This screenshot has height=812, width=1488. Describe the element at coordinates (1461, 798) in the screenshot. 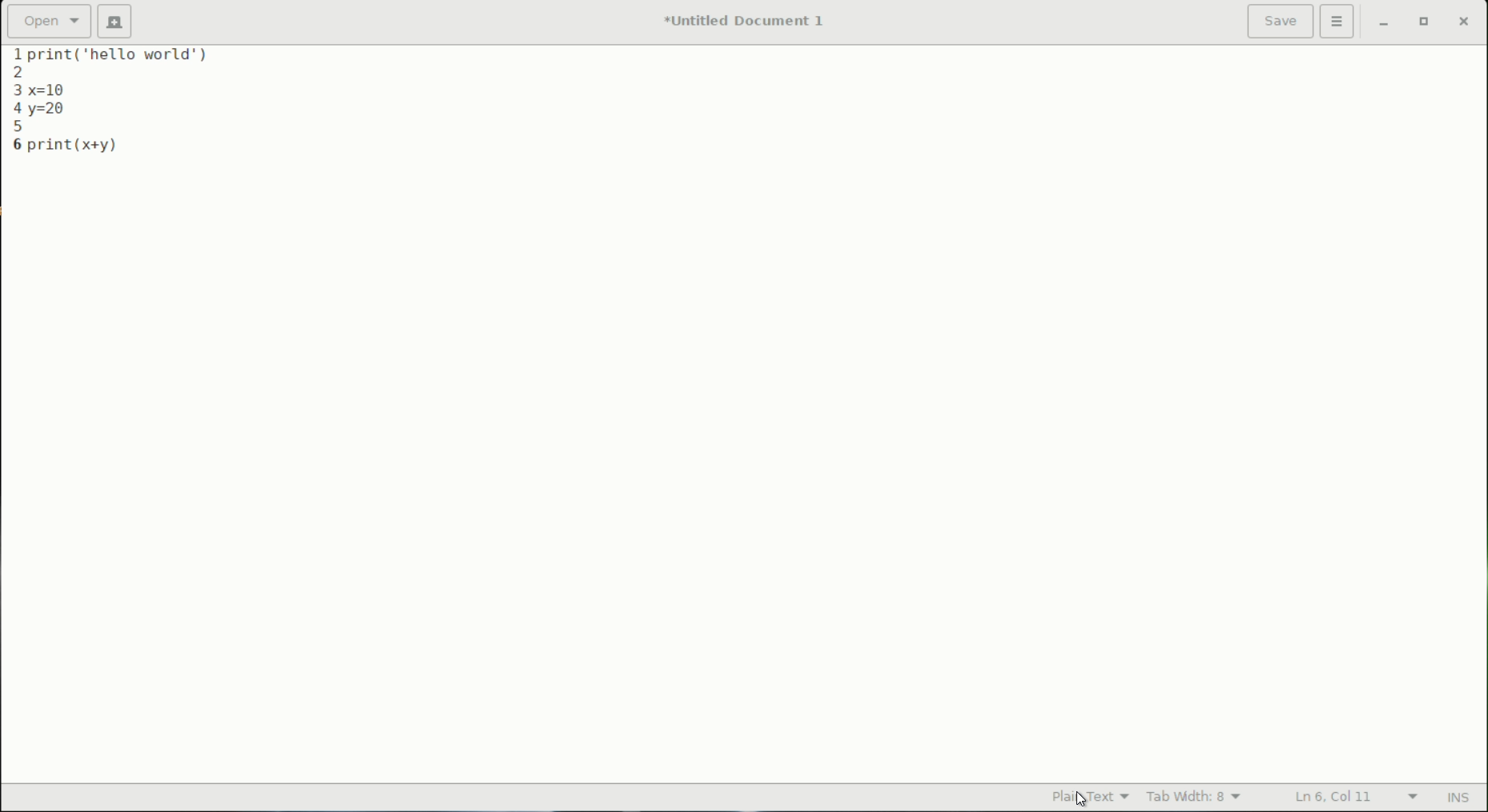

I see `ins` at that location.